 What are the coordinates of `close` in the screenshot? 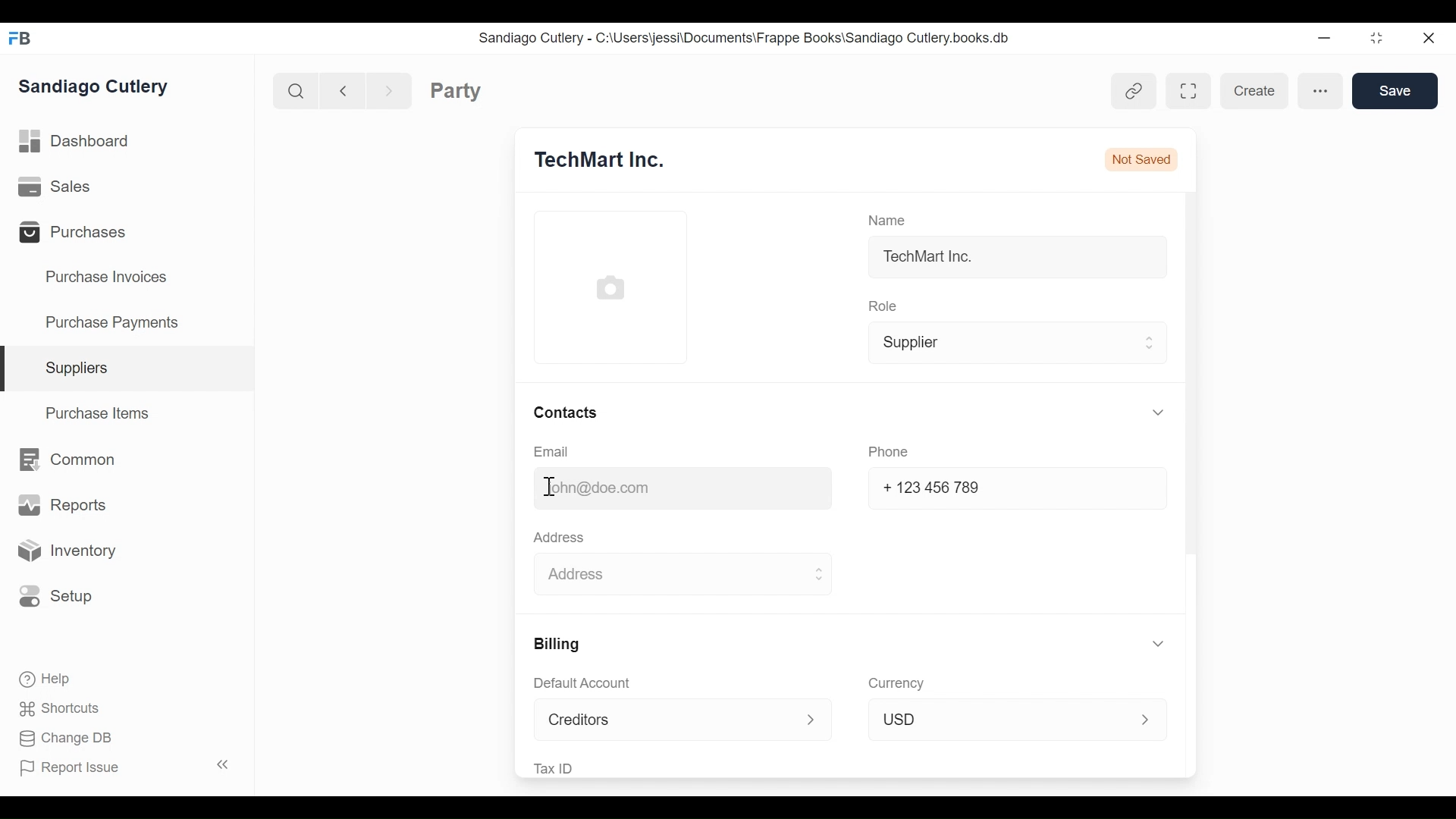 It's located at (1430, 41).